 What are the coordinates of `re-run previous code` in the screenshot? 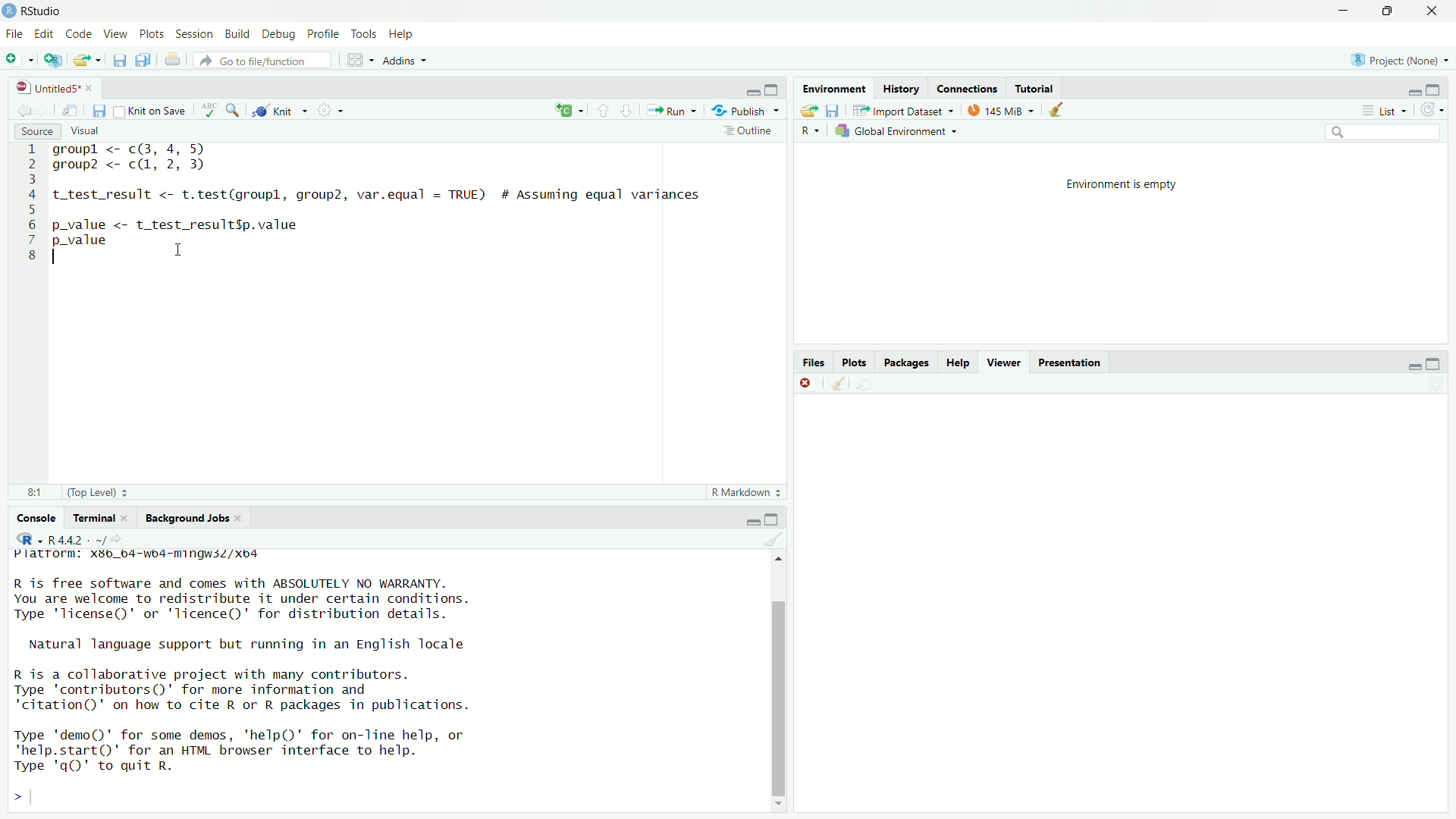 It's located at (568, 111).